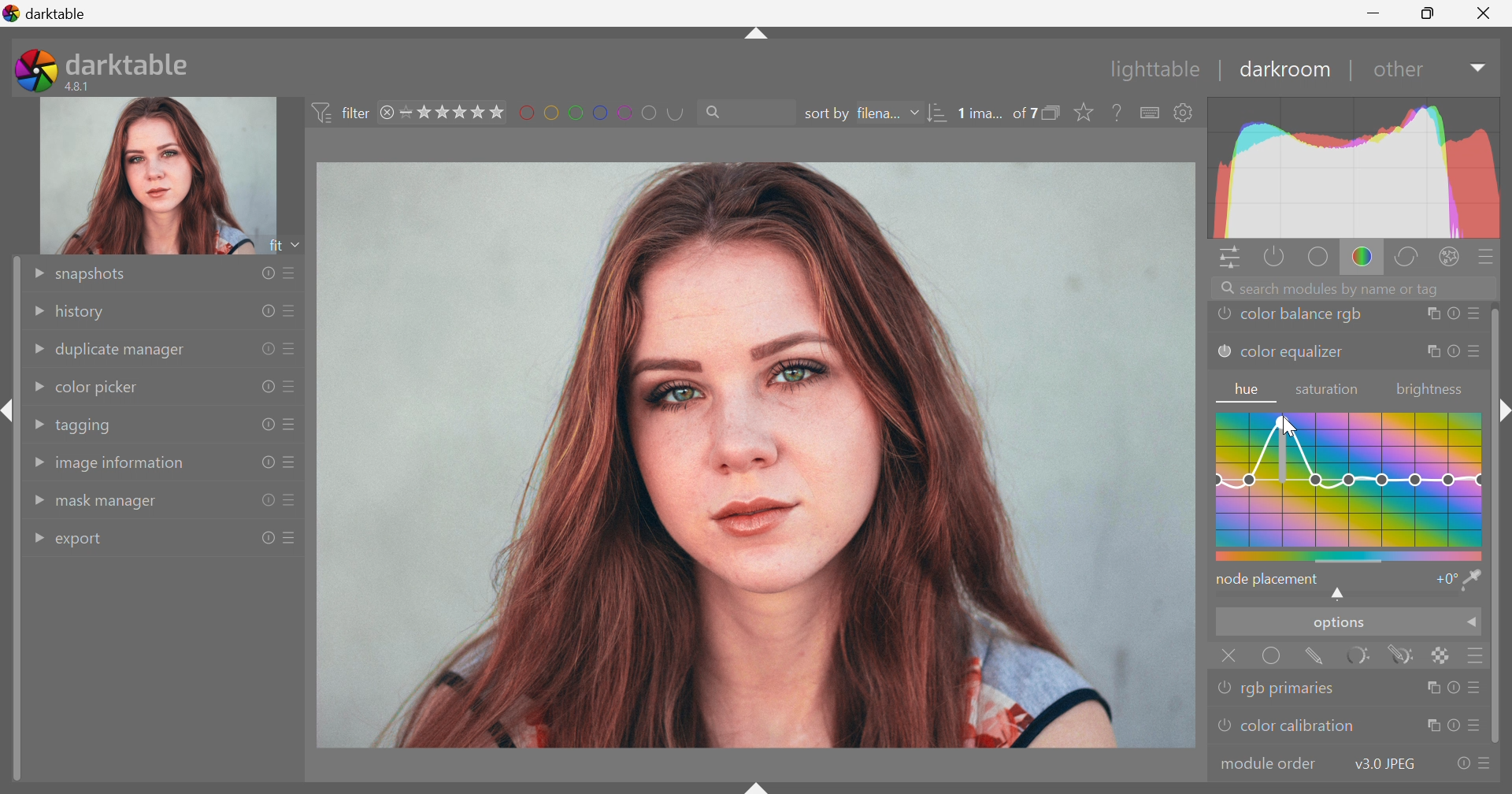 This screenshot has height=794, width=1512. Describe the element at coordinates (1269, 762) in the screenshot. I see `modular order` at that location.